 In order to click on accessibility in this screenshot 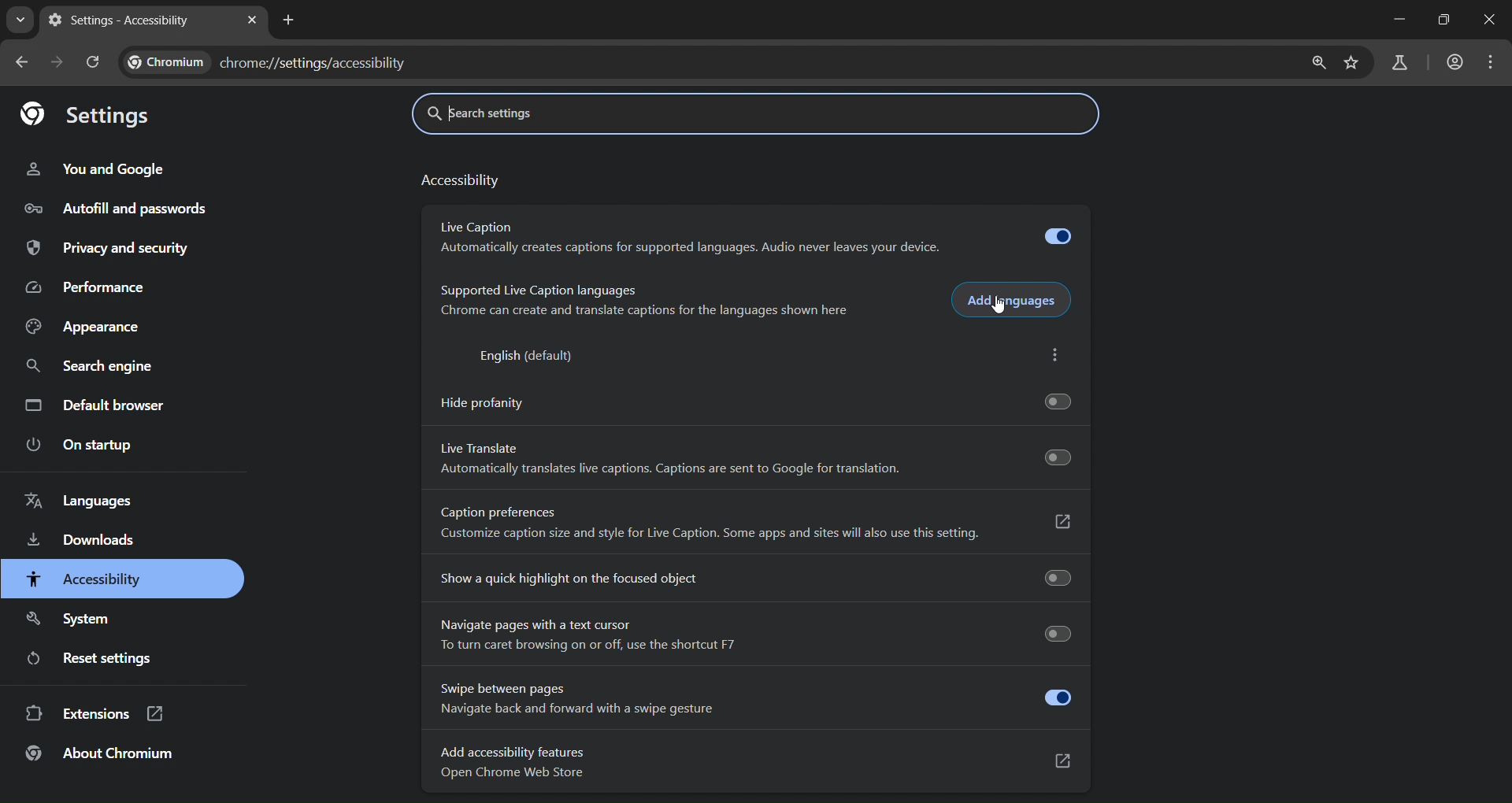, I will do `click(83, 580)`.